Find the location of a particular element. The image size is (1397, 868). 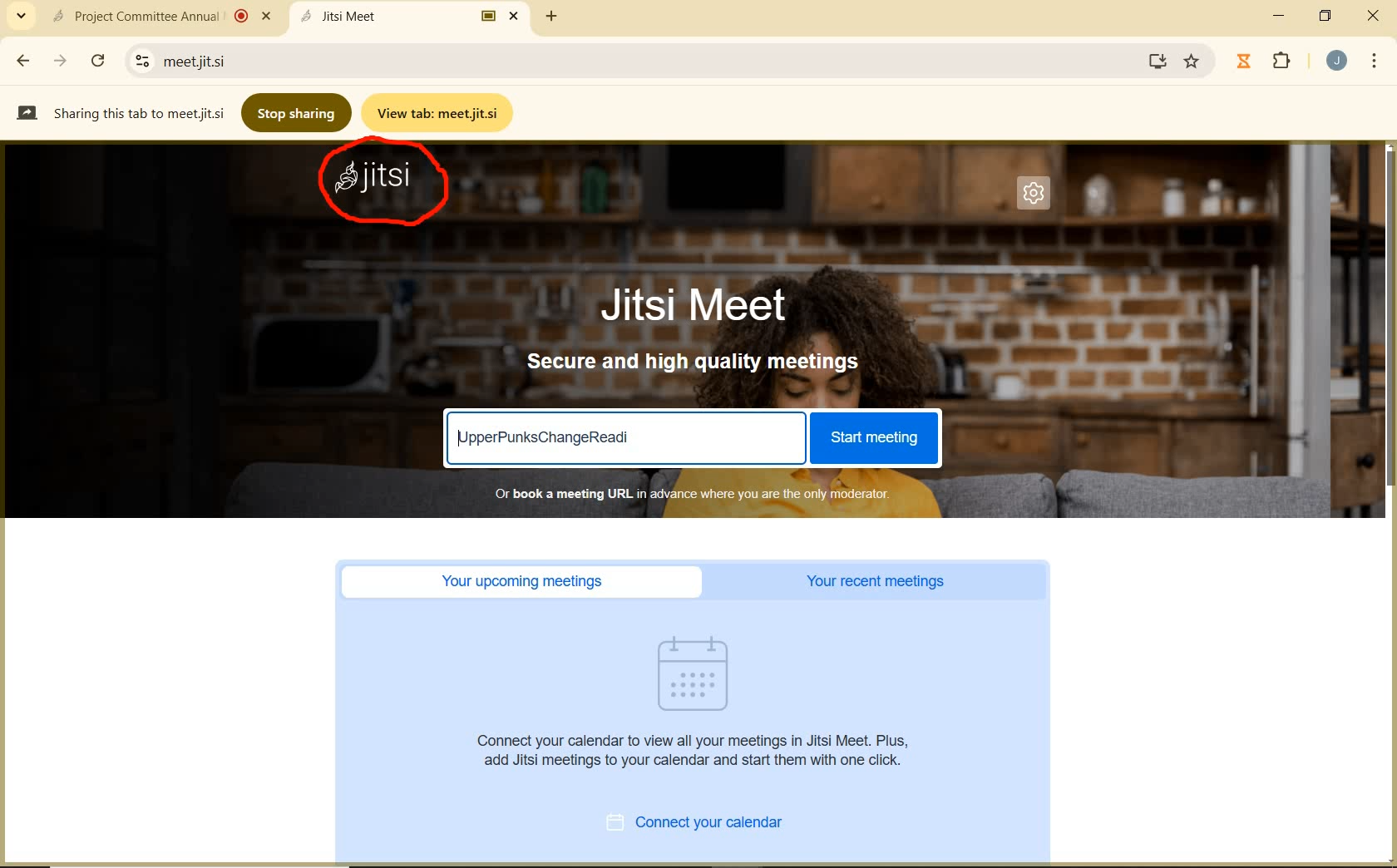

settings is located at coordinates (139, 61).